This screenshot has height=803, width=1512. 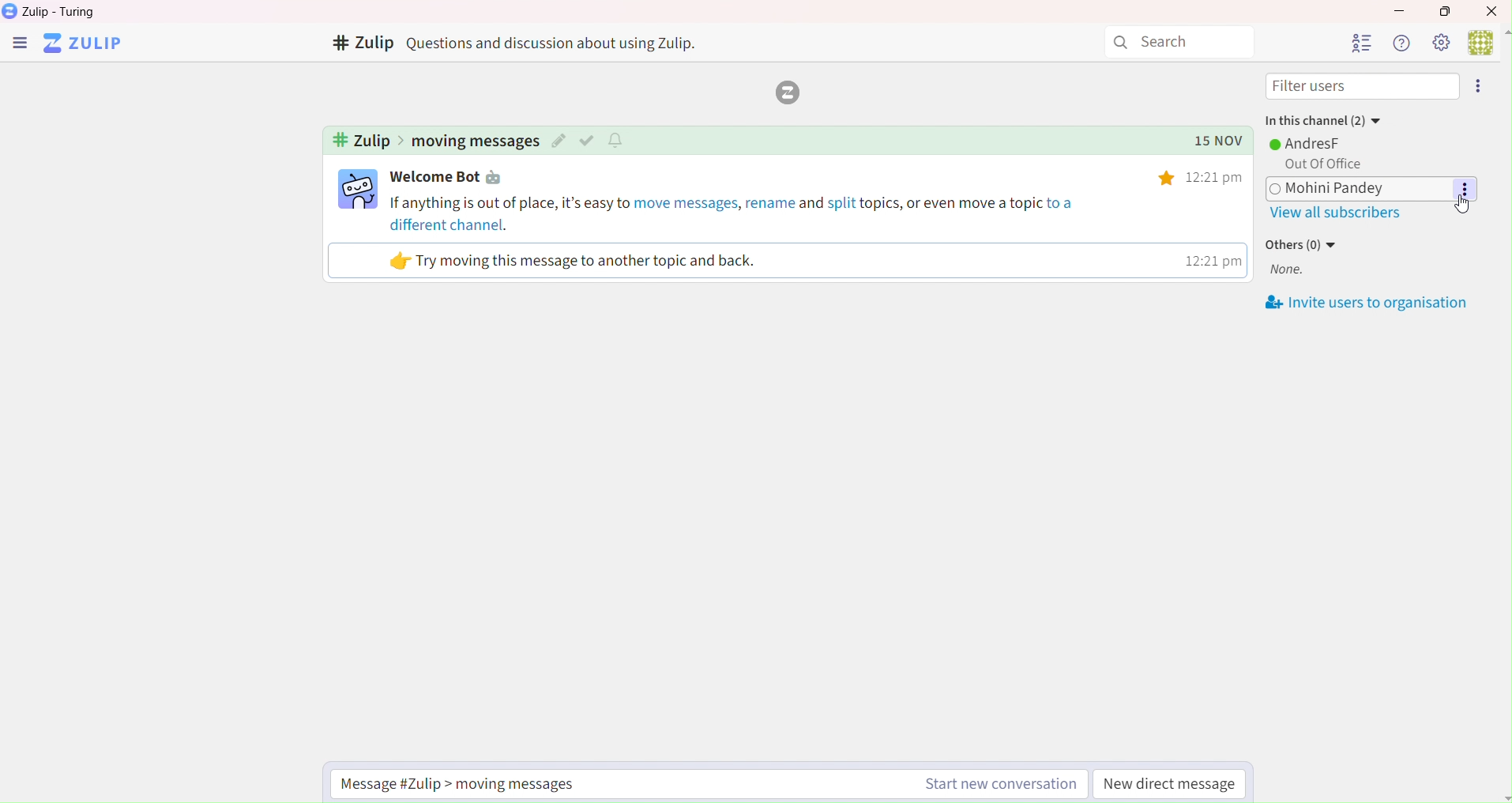 What do you see at coordinates (1287, 271) in the screenshot?
I see `None` at bounding box center [1287, 271].